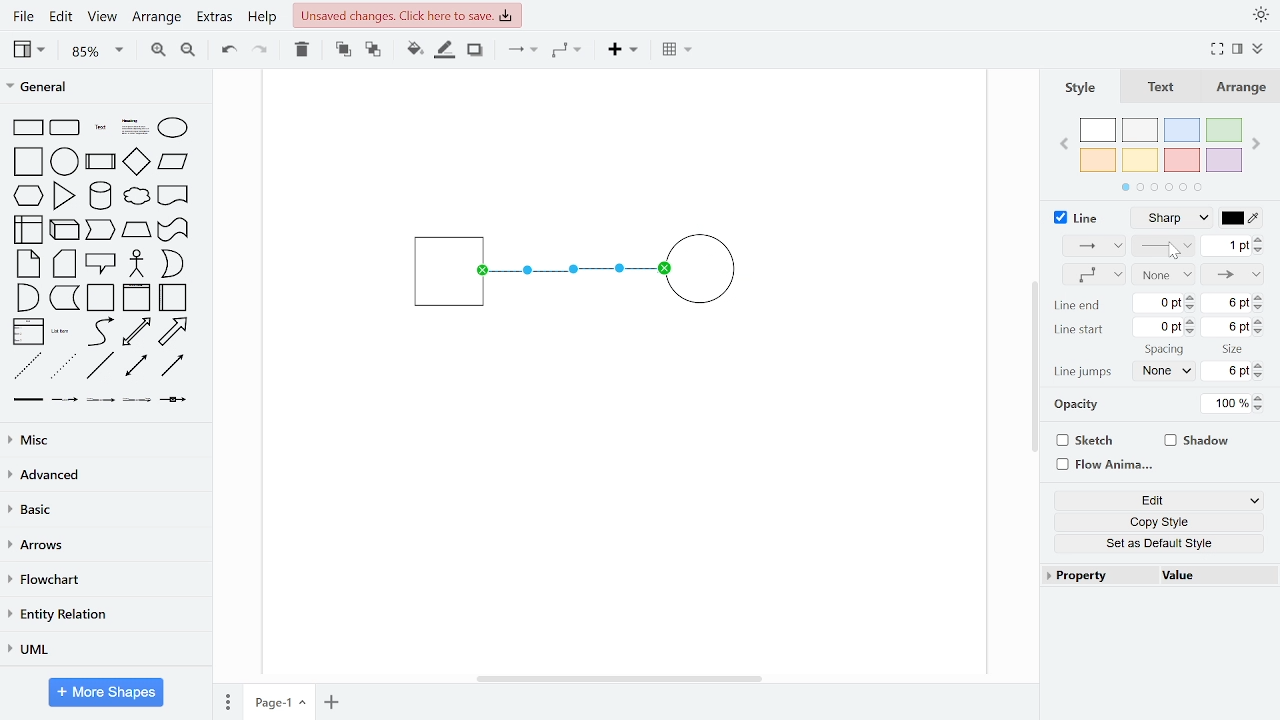 The width and height of the screenshot is (1280, 720). Describe the element at coordinates (65, 195) in the screenshot. I see `triangle` at that location.